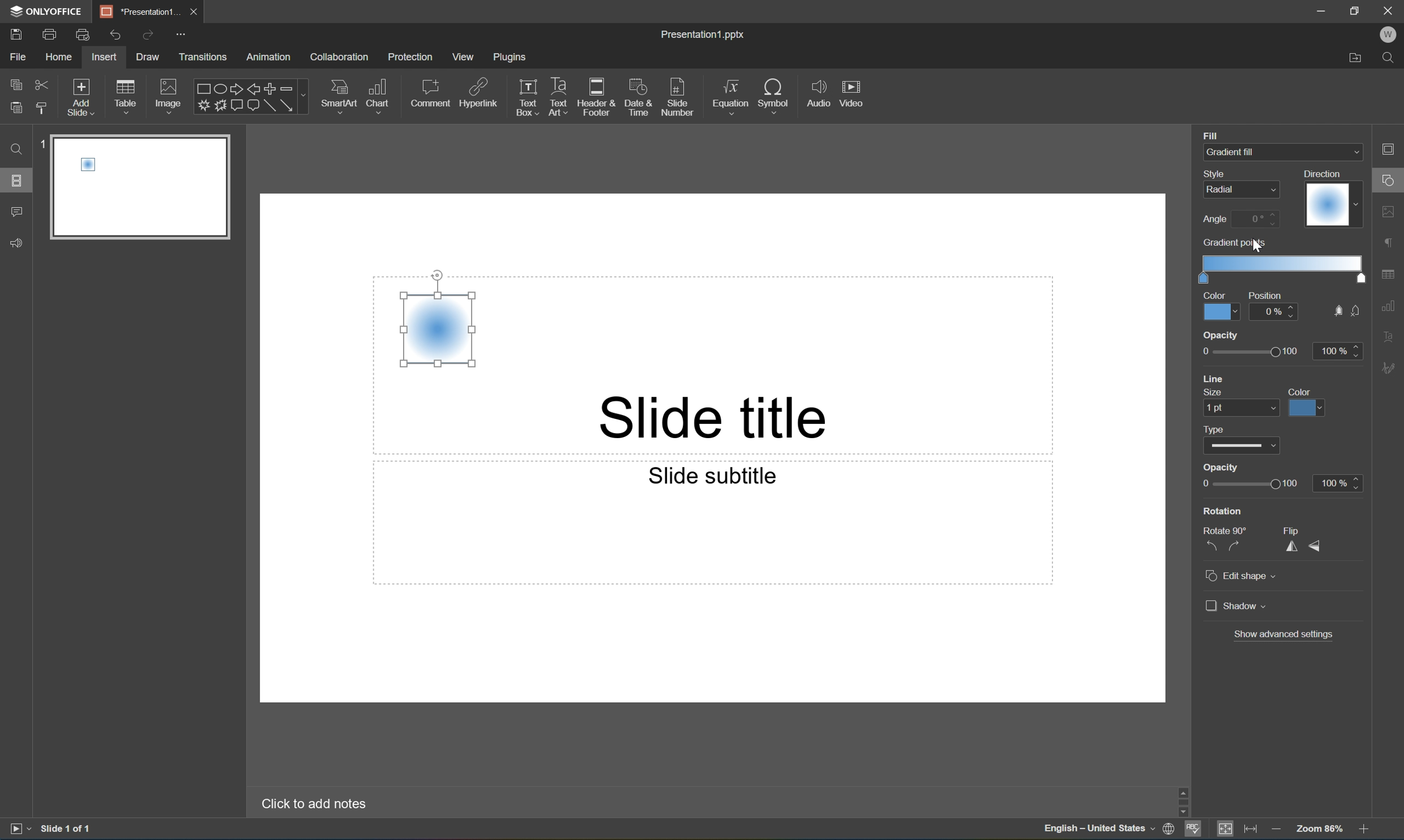  What do you see at coordinates (234, 89) in the screenshot?
I see `Right arrow` at bounding box center [234, 89].